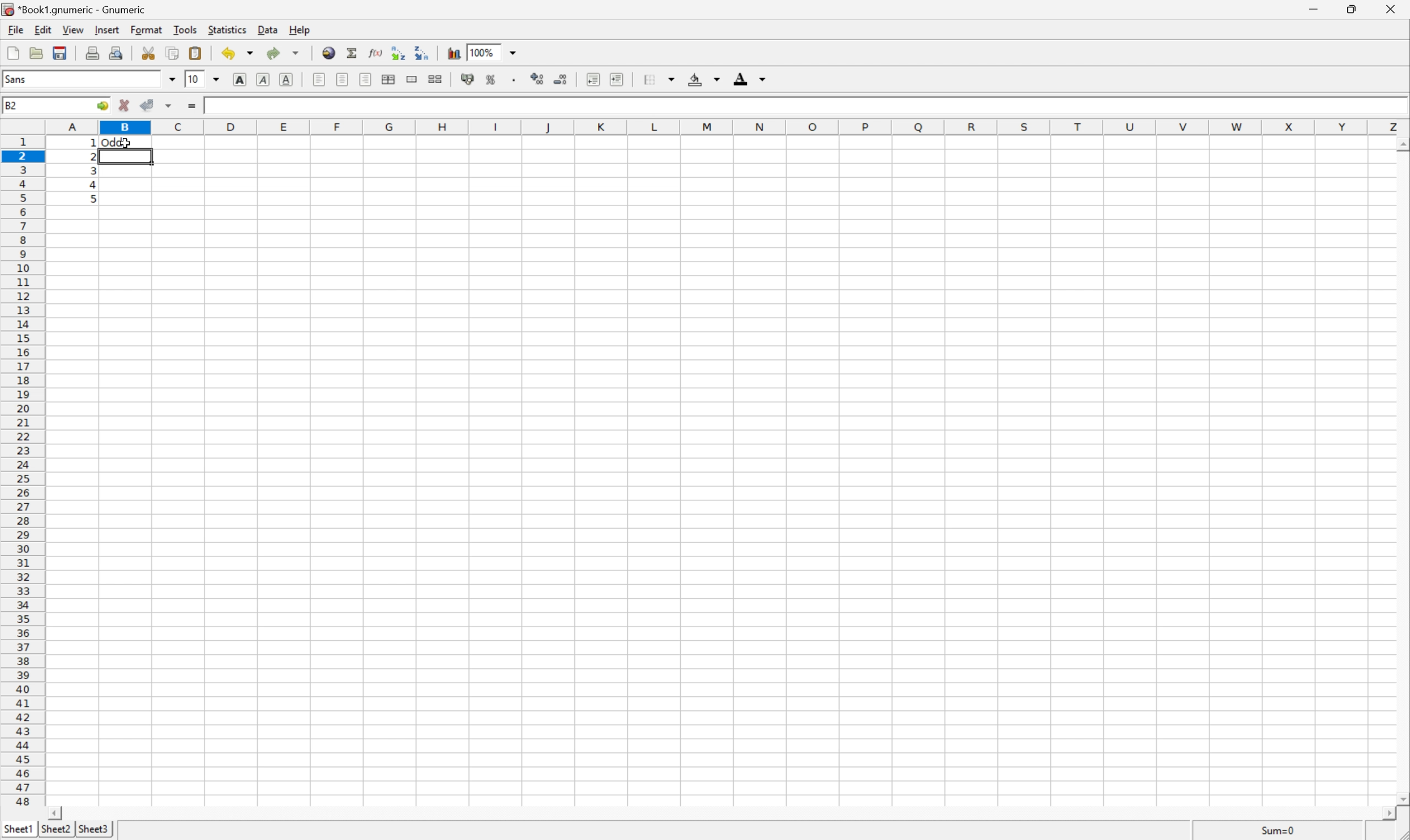  I want to click on File, so click(15, 31).